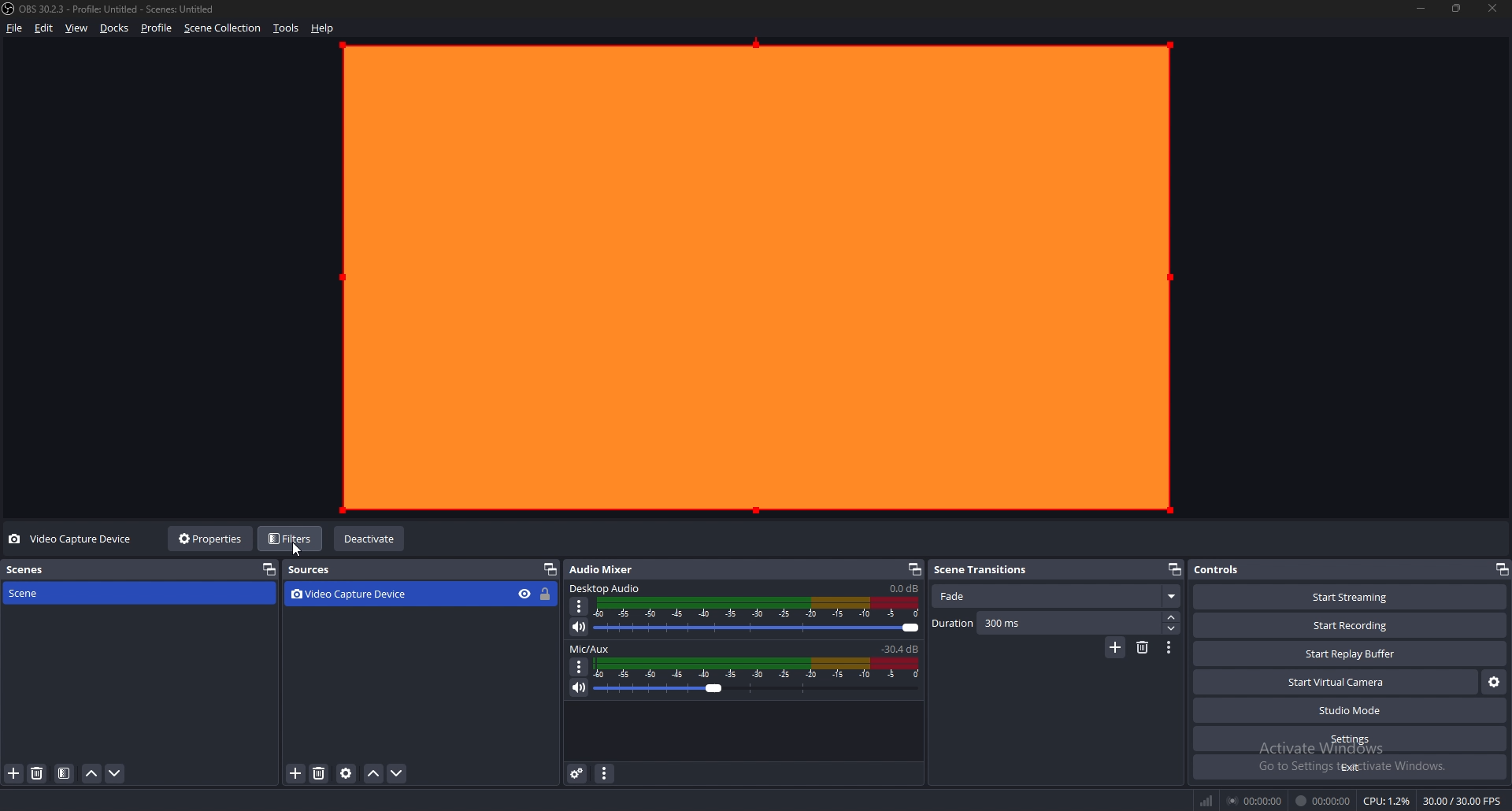 This screenshot has height=811, width=1512. I want to click on lock, so click(548, 594).